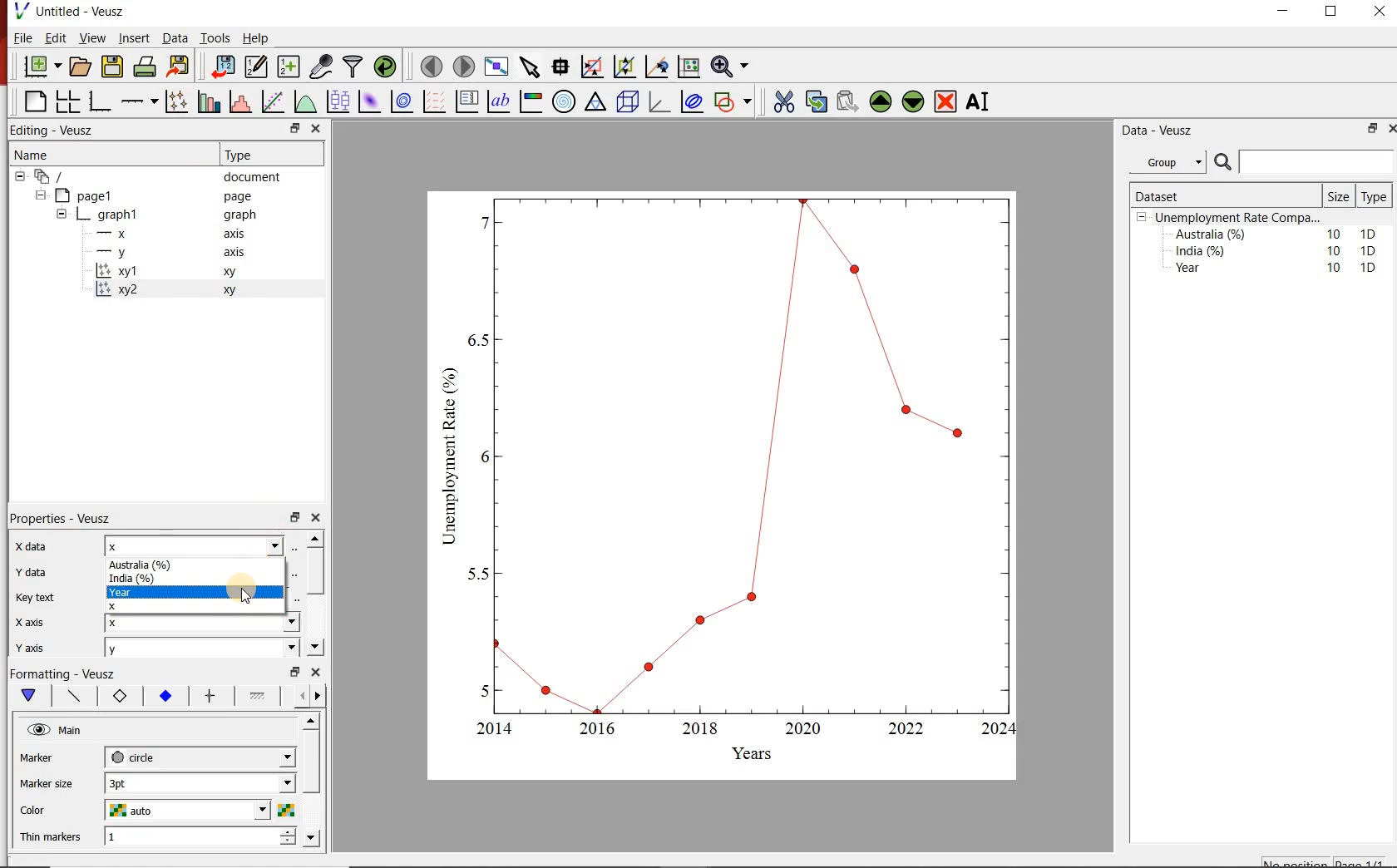 This screenshot has height=868, width=1397. Describe the element at coordinates (815, 101) in the screenshot. I see `copy the widgets` at that location.